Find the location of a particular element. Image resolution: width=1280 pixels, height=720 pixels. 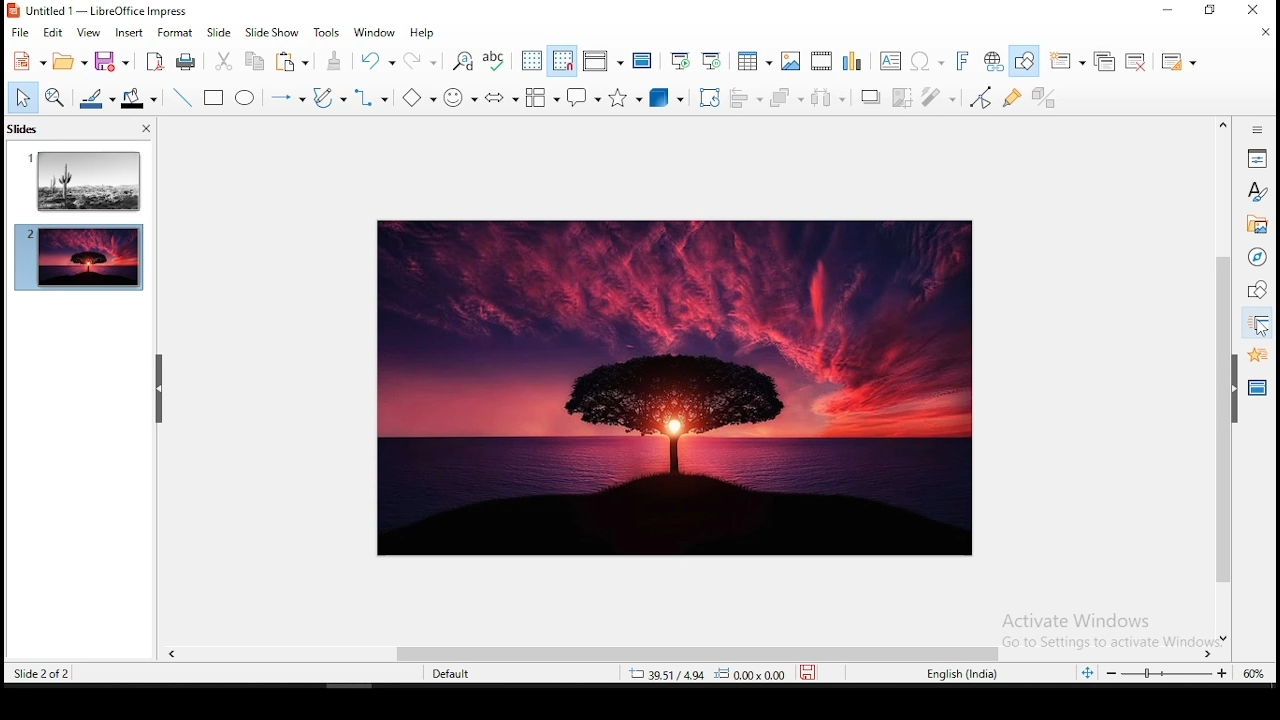

start from first slide is located at coordinates (679, 56).